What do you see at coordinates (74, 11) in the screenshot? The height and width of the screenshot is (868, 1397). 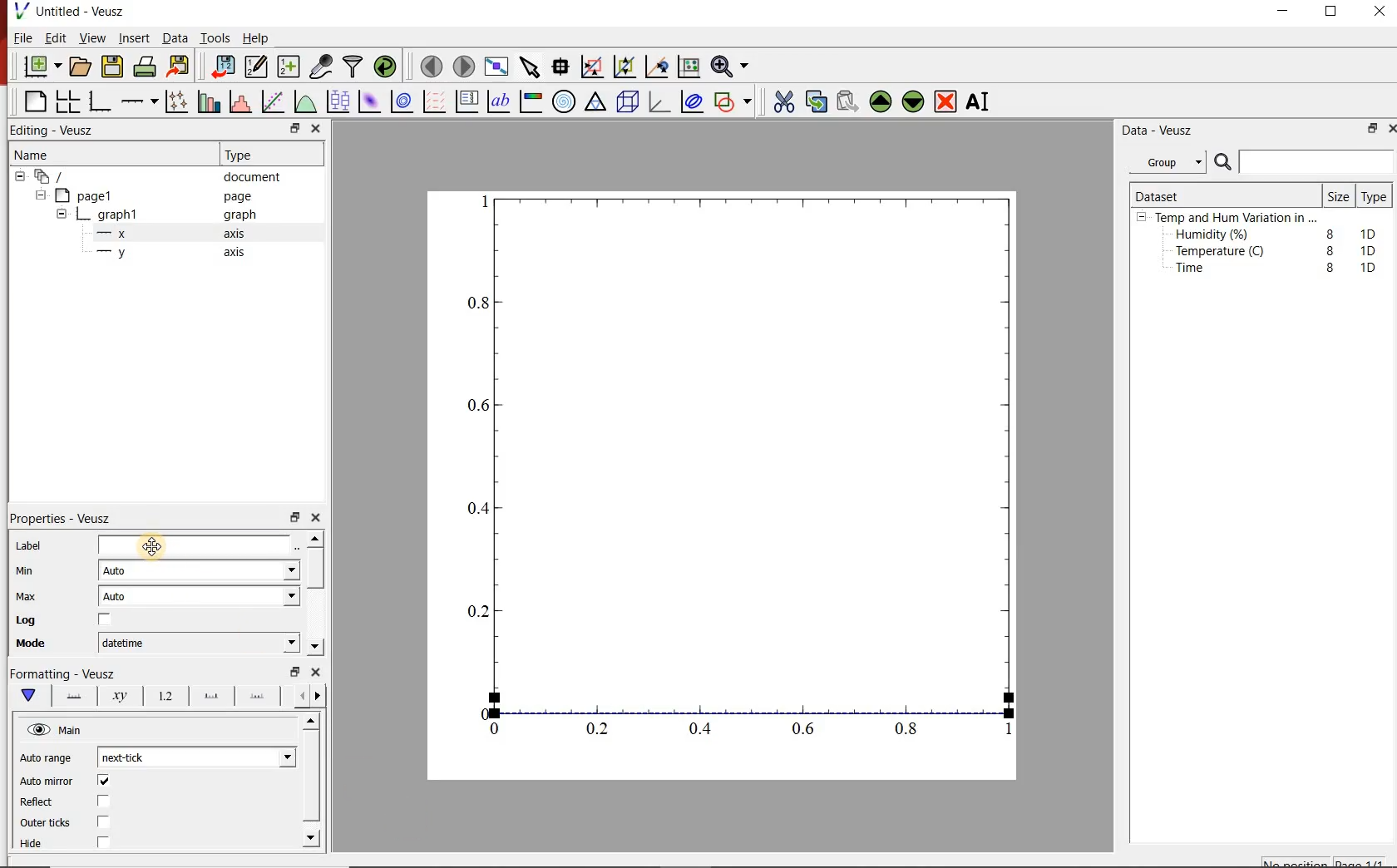 I see `Untitled - Veusz` at bounding box center [74, 11].